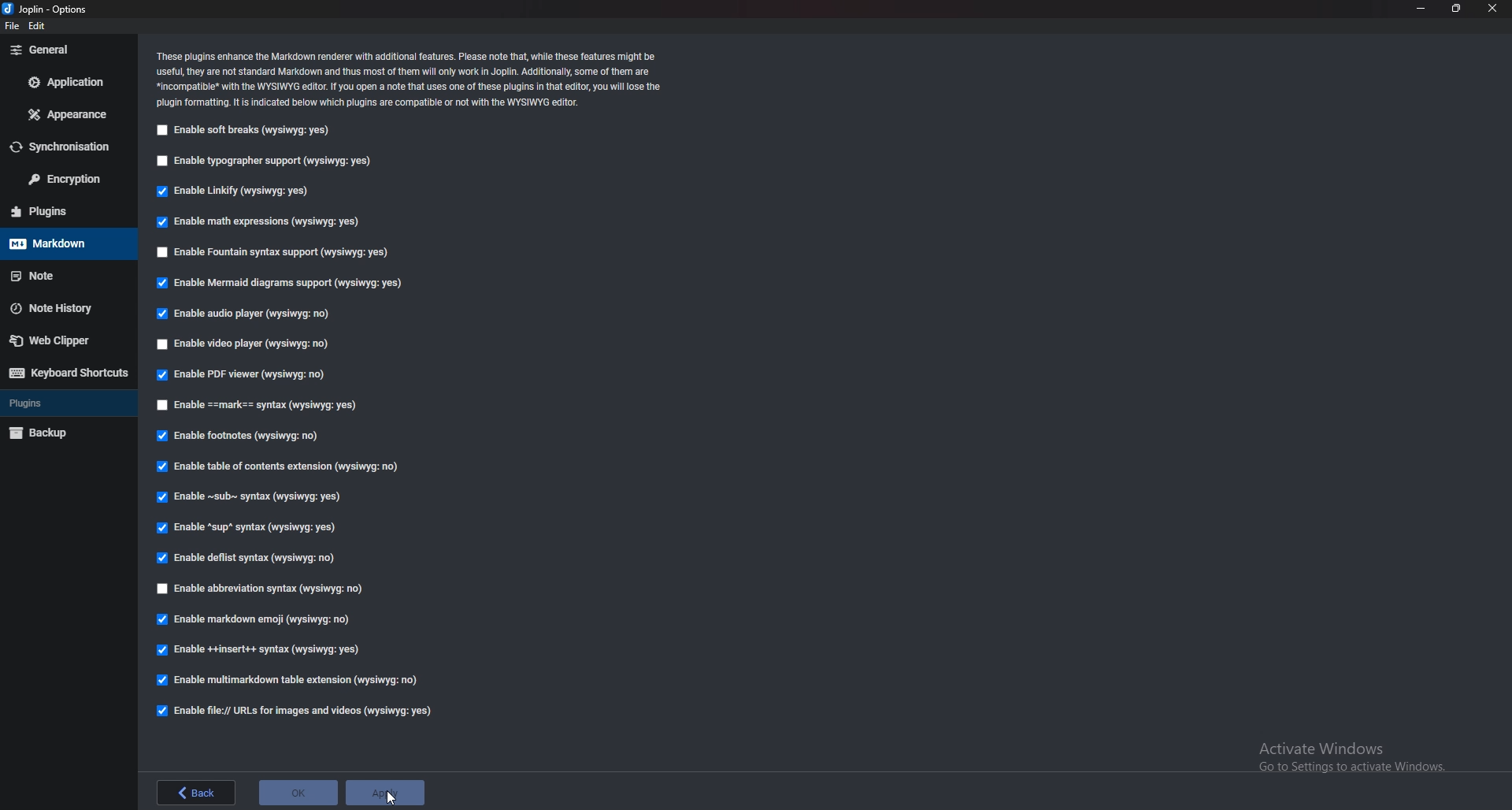  What do you see at coordinates (57, 434) in the screenshot?
I see `Backup` at bounding box center [57, 434].